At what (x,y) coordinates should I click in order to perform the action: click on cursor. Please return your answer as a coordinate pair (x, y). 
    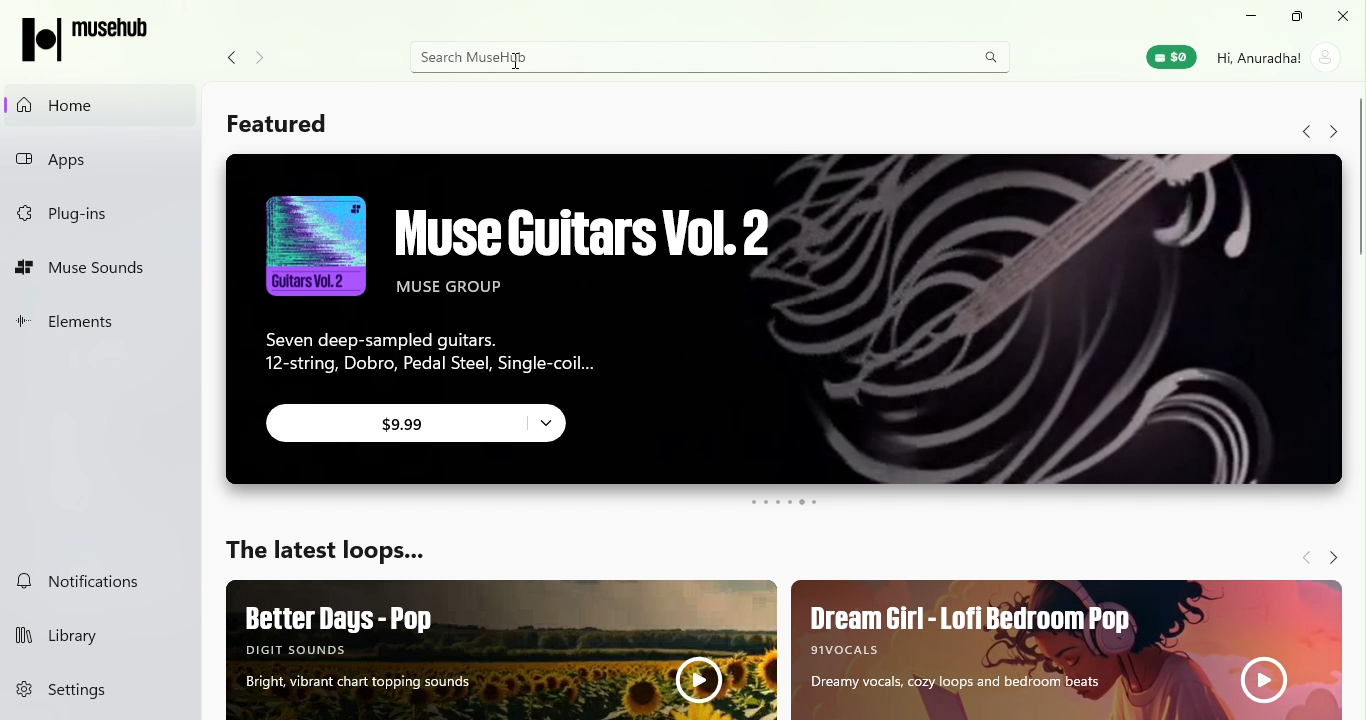
    Looking at the image, I should click on (513, 63).